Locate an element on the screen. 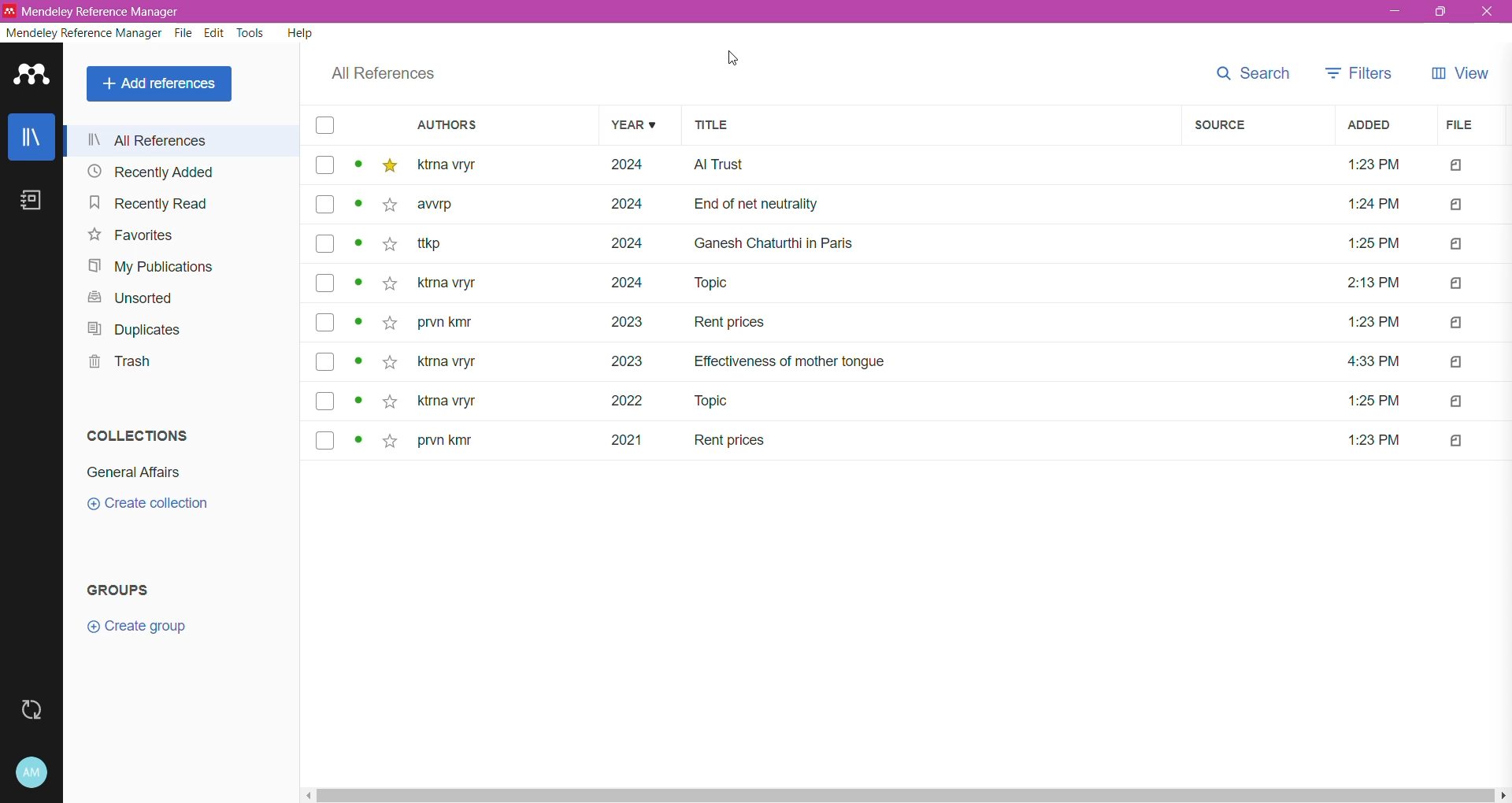 The height and width of the screenshot is (803, 1512). avvrp is located at coordinates (438, 205).